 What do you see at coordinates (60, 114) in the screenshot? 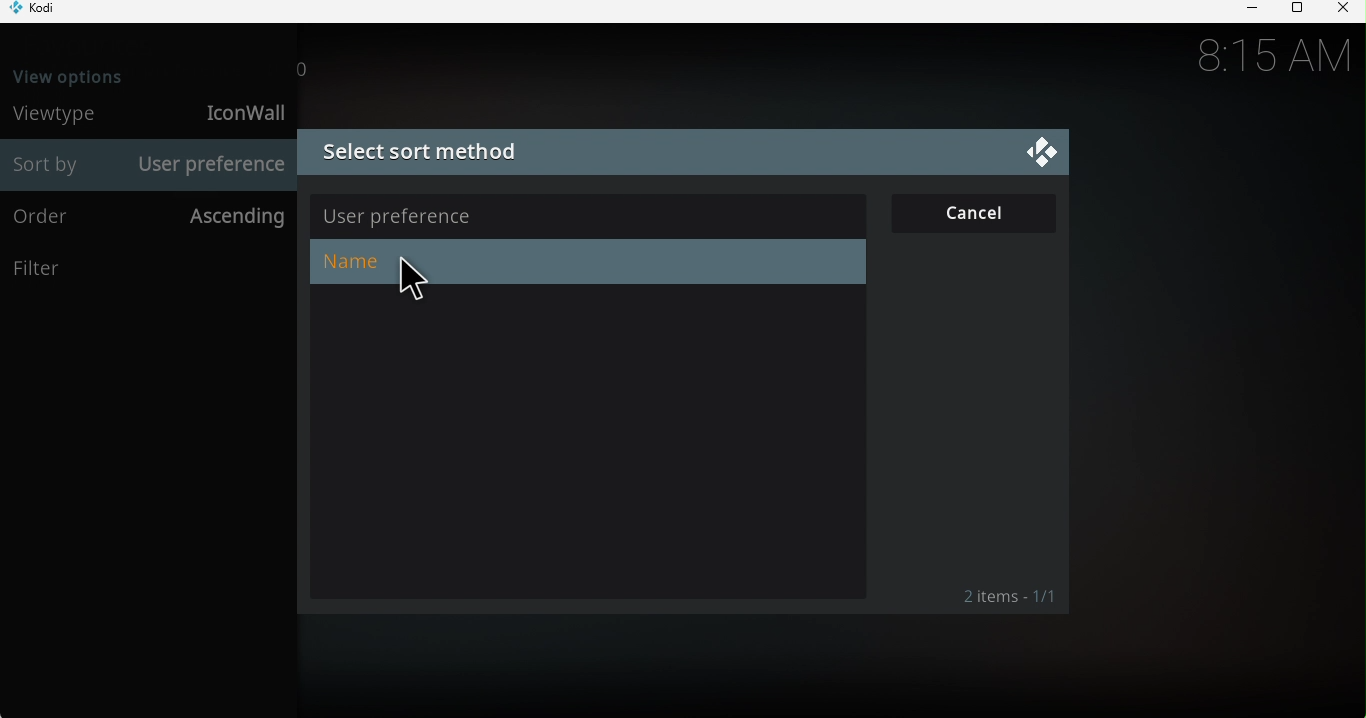
I see `ViewType` at bounding box center [60, 114].